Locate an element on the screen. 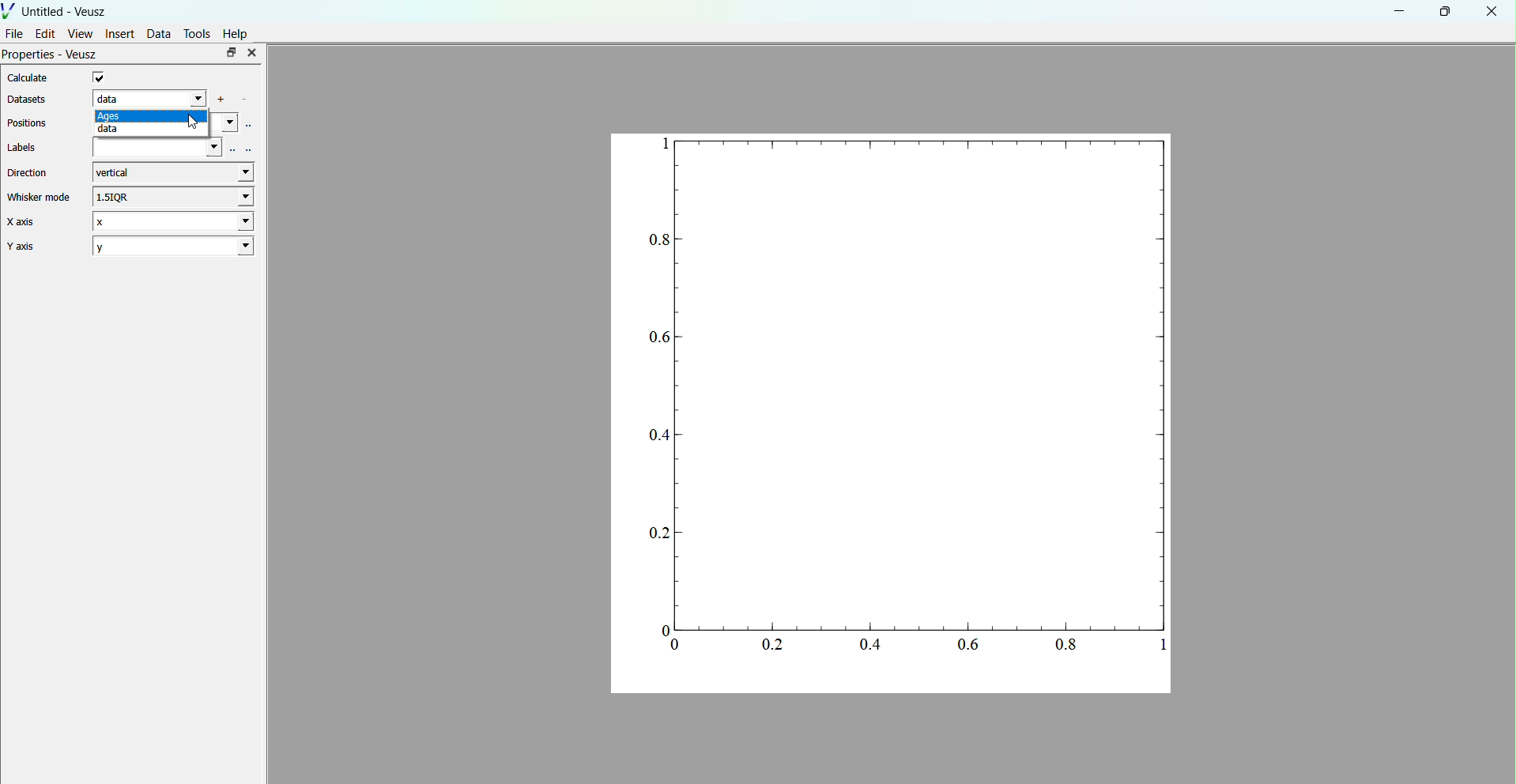  vertical is located at coordinates (177, 172).